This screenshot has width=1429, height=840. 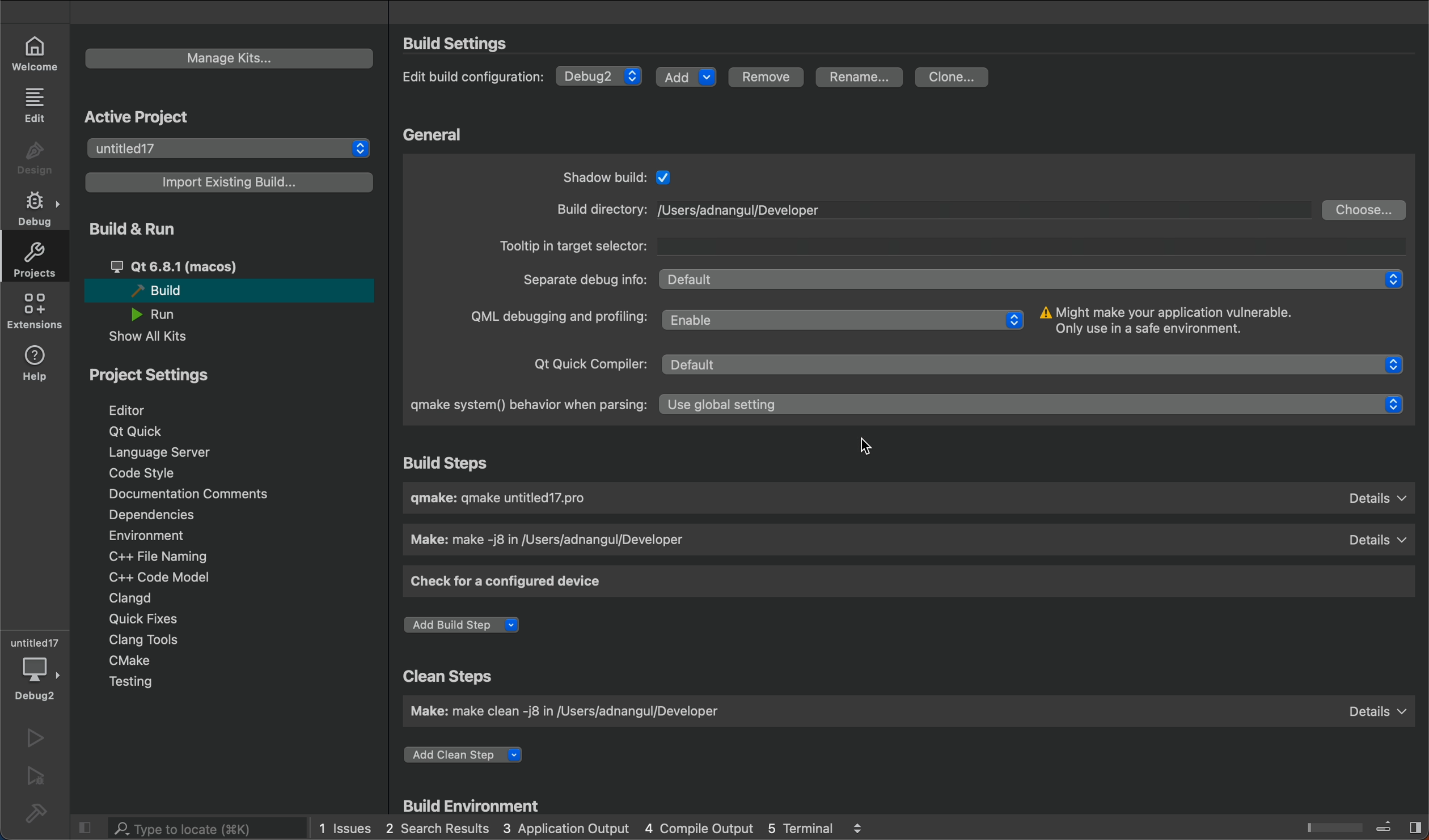 I want to click on new build type, so click(x=35, y=672).